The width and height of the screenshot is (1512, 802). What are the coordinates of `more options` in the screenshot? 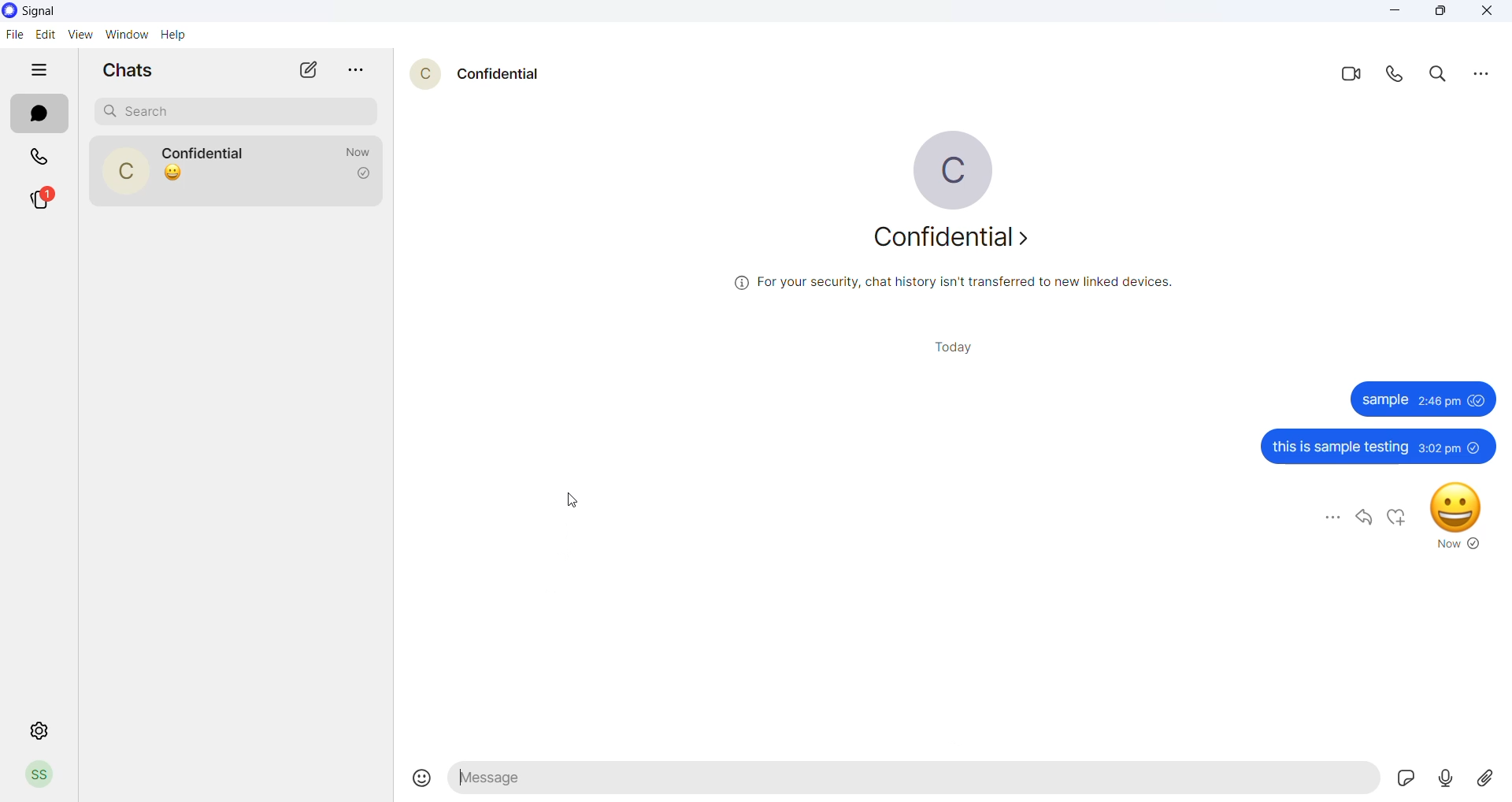 It's located at (358, 70).